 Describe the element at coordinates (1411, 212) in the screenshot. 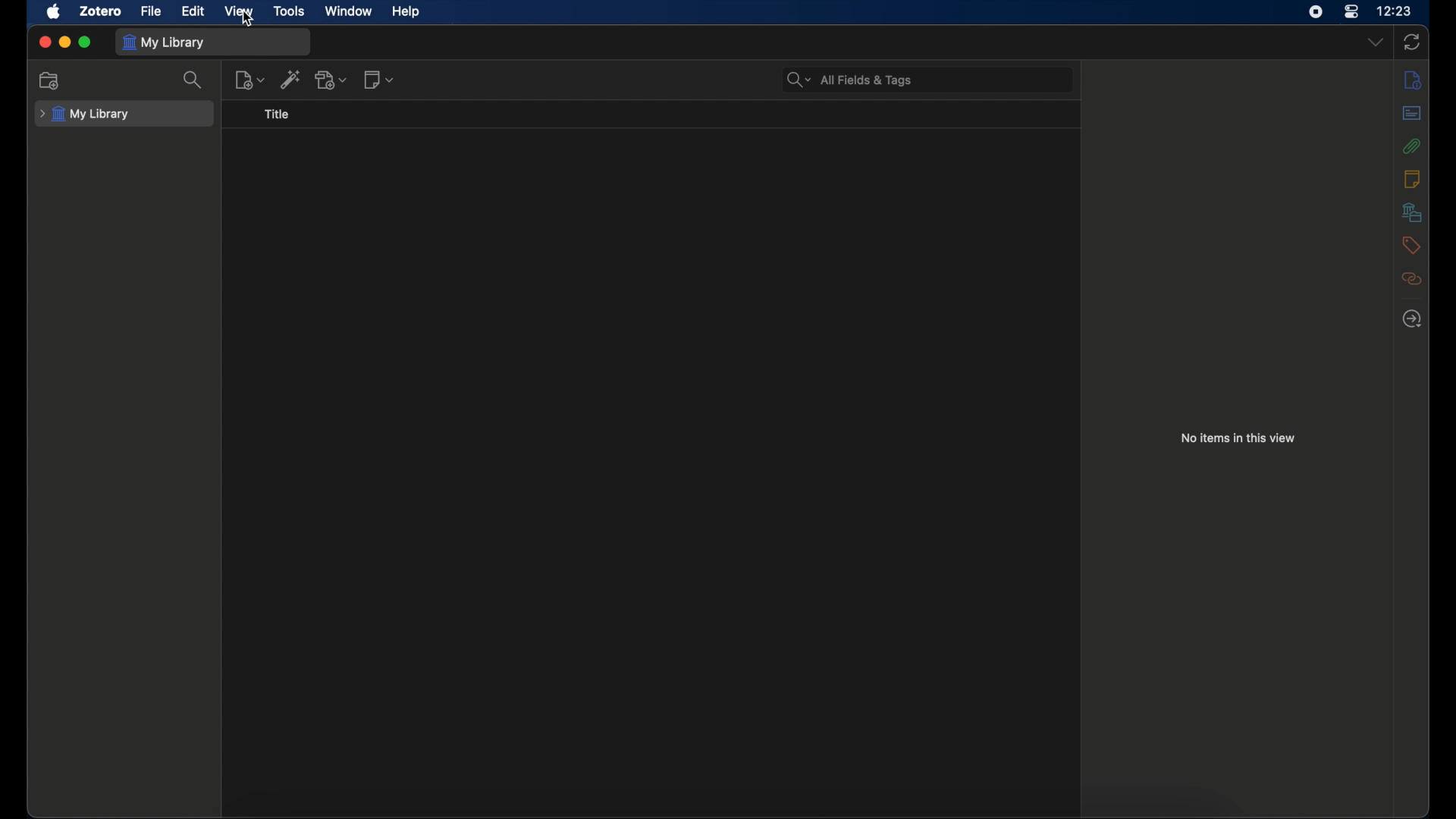

I see `libraries` at that location.